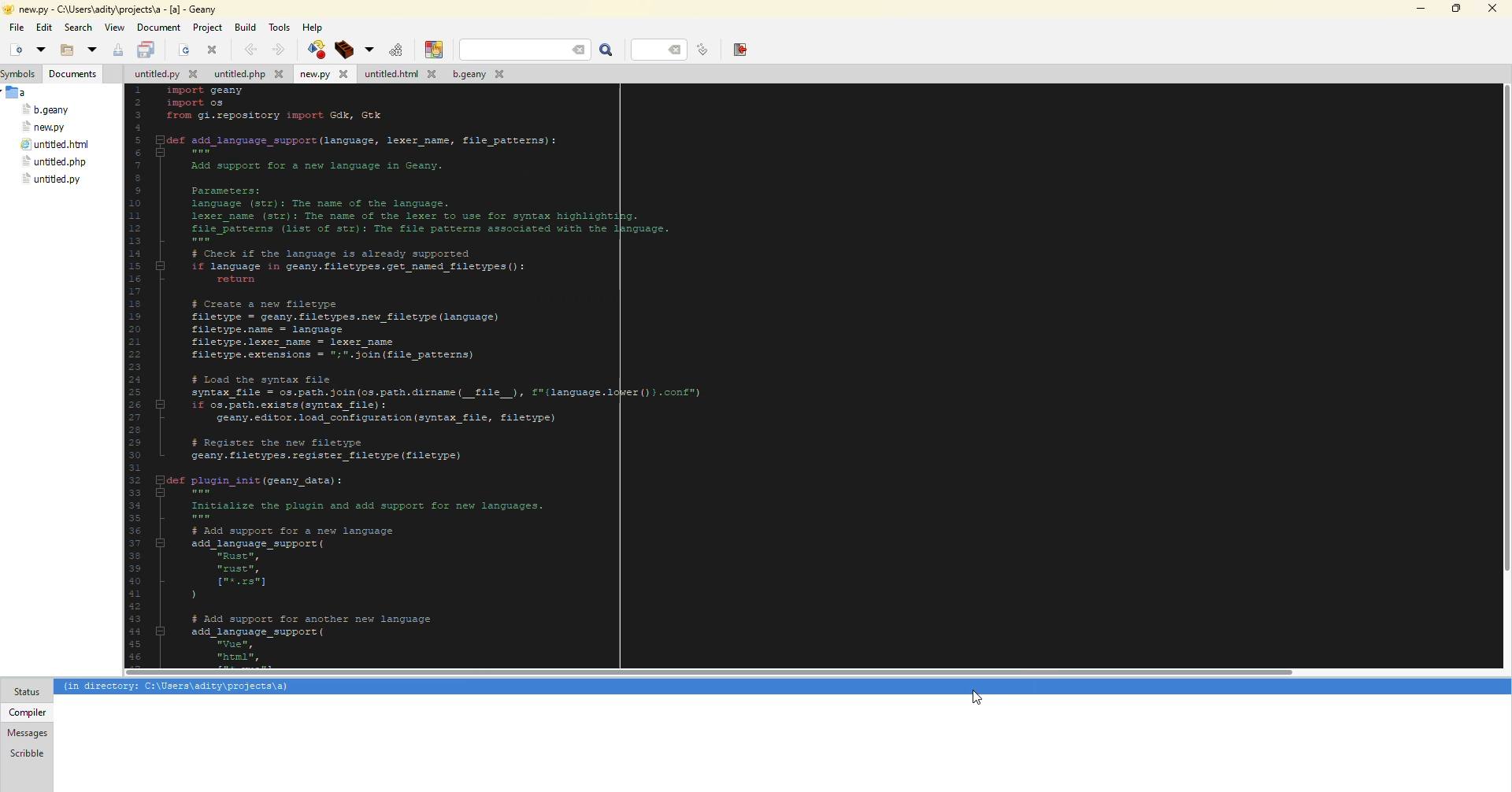 The width and height of the screenshot is (1512, 792). What do you see at coordinates (177, 687) in the screenshot?
I see `info` at bounding box center [177, 687].